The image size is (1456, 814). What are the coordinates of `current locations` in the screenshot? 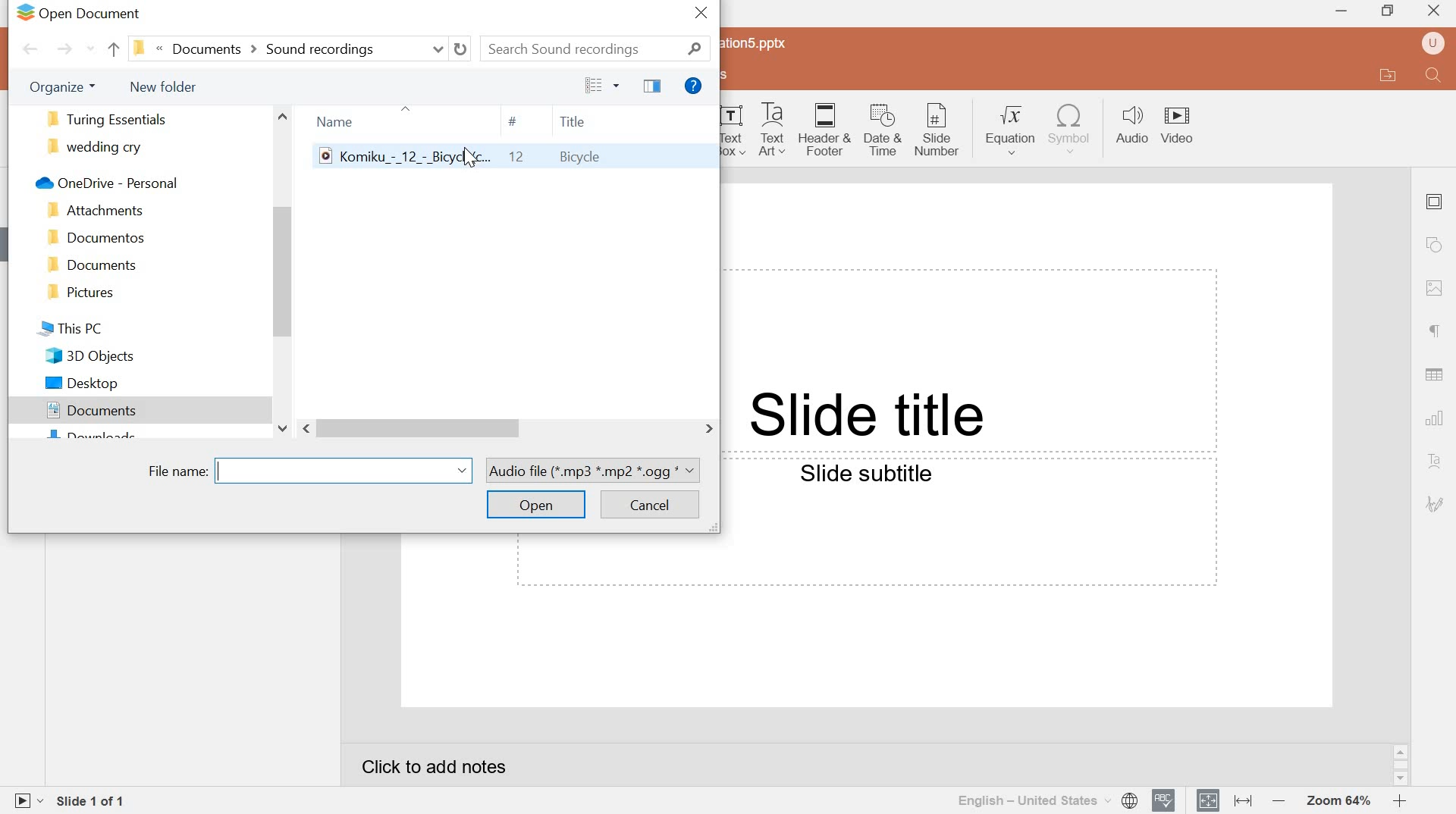 It's located at (256, 49).